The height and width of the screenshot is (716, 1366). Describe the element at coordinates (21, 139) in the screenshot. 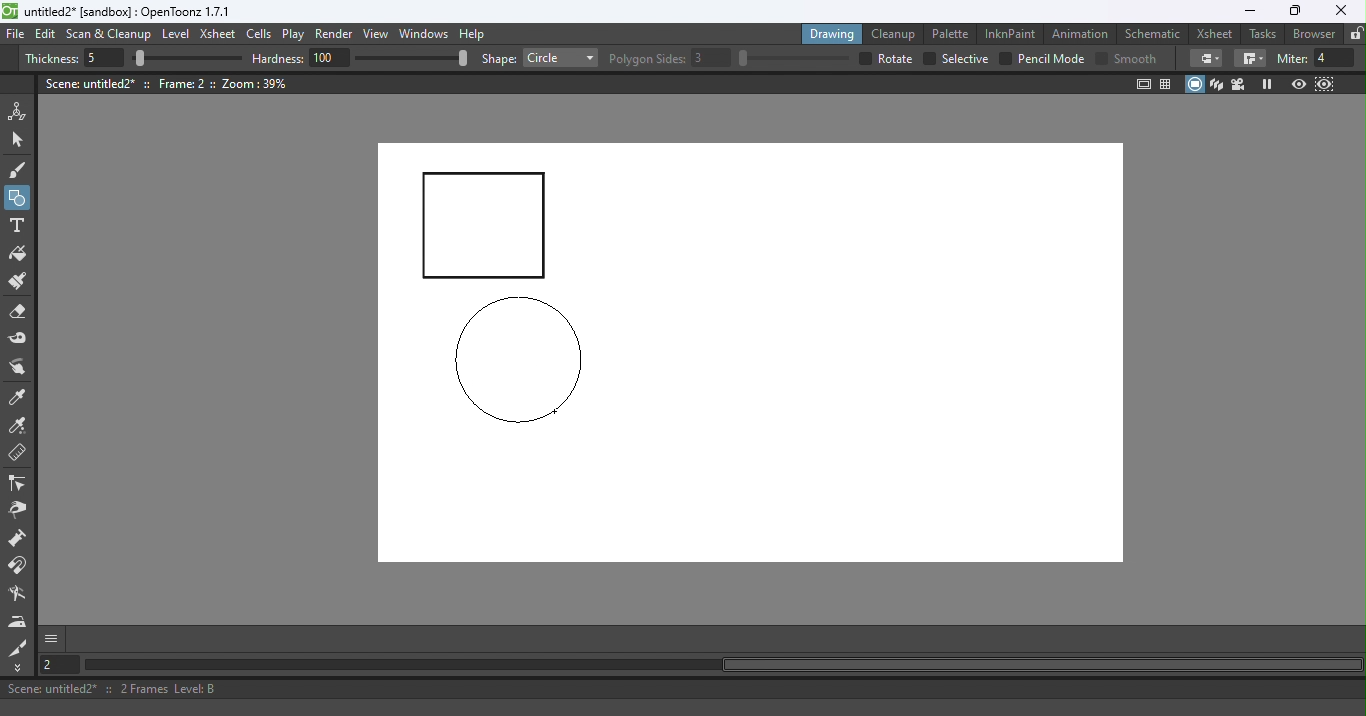

I see `Selection tool` at that location.